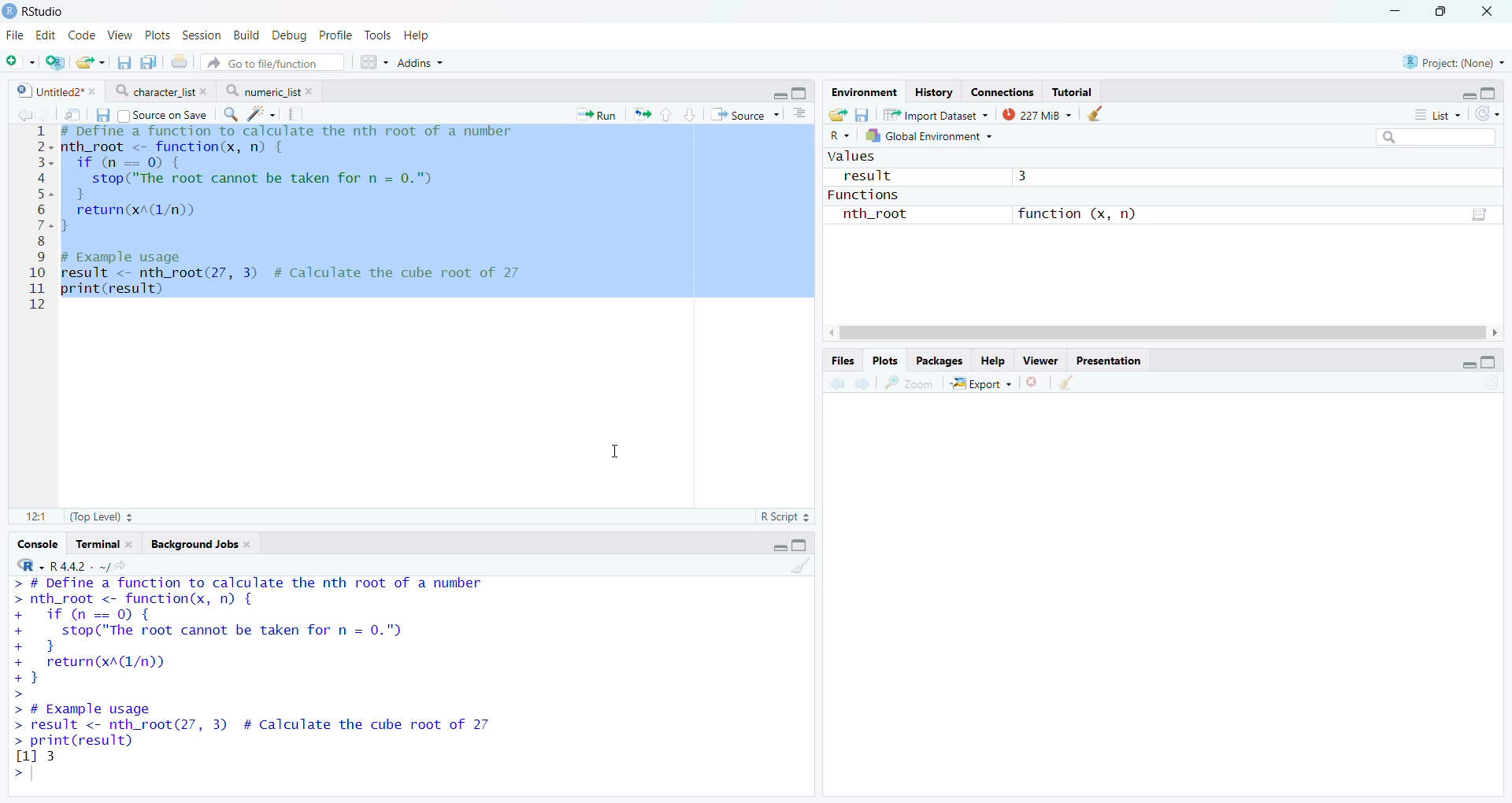 The image size is (1512, 803). Describe the element at coordinates (862, 383) in the screenshot. I see `Go to next plot` at that location.